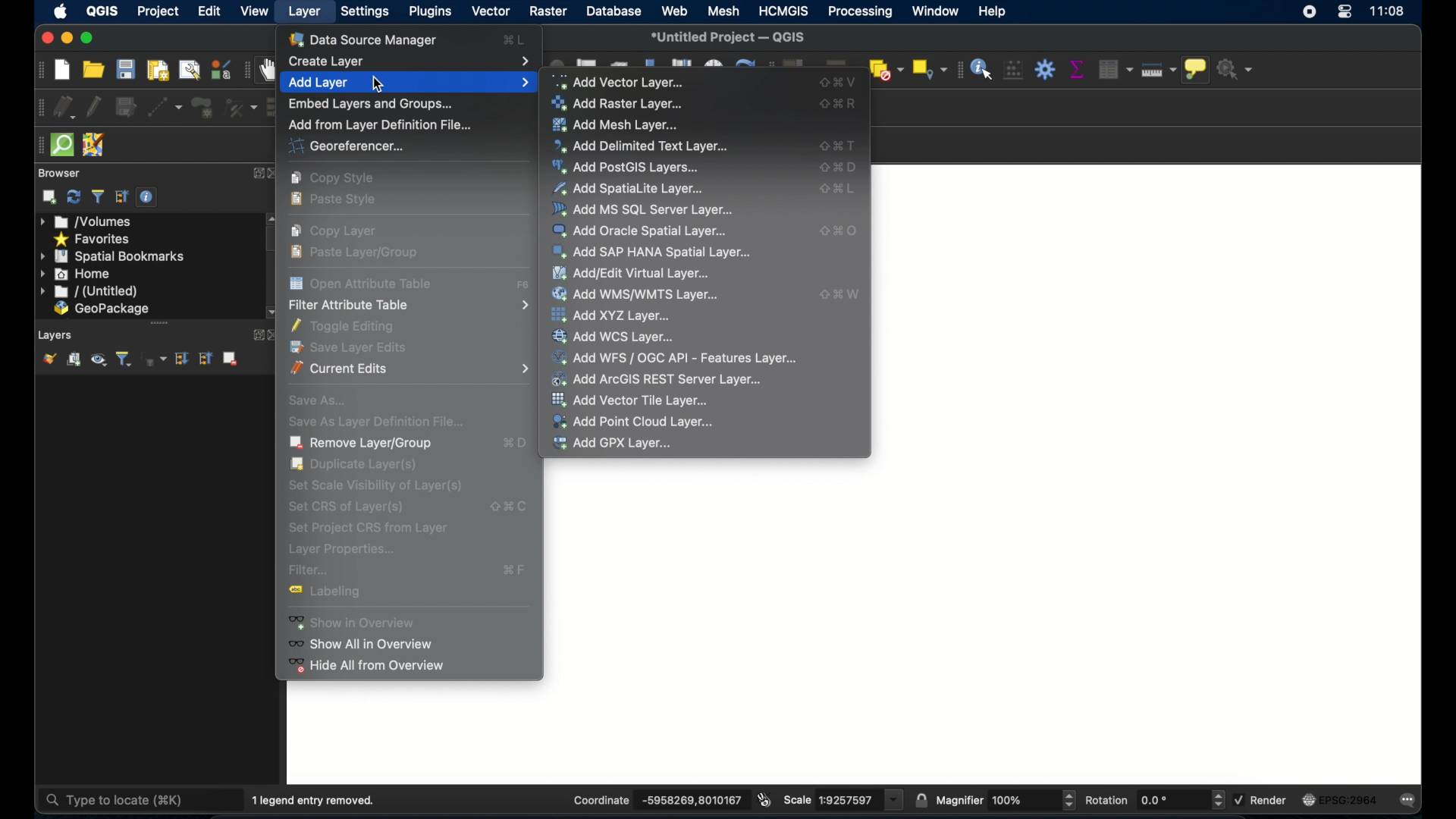 The image size is (1456, 819). Describe the element at coordinates (36, 108) in the screenshot. I see `digitizing toolbar` at that location.